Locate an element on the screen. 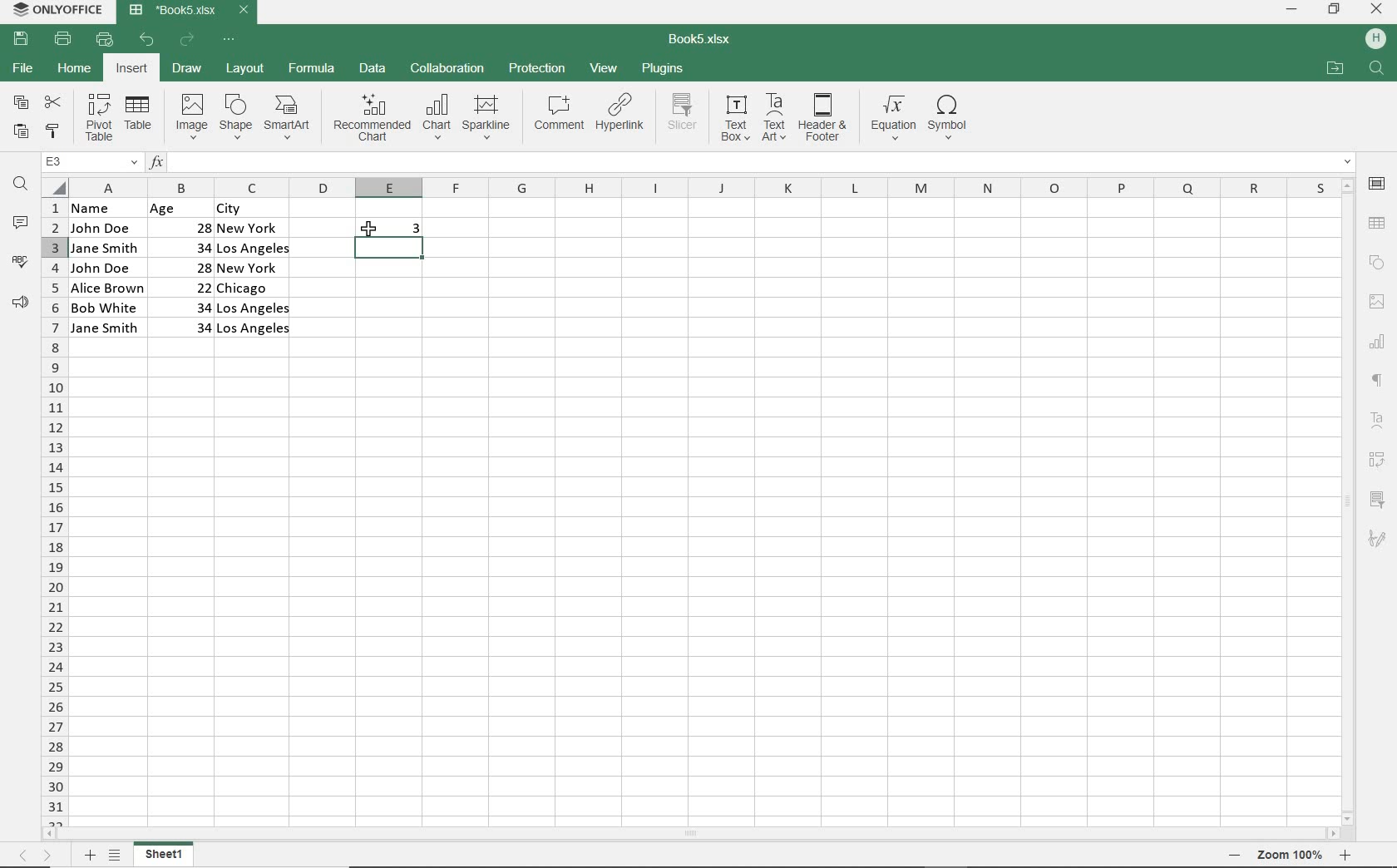  COPY is located at coordinates (20, 104).